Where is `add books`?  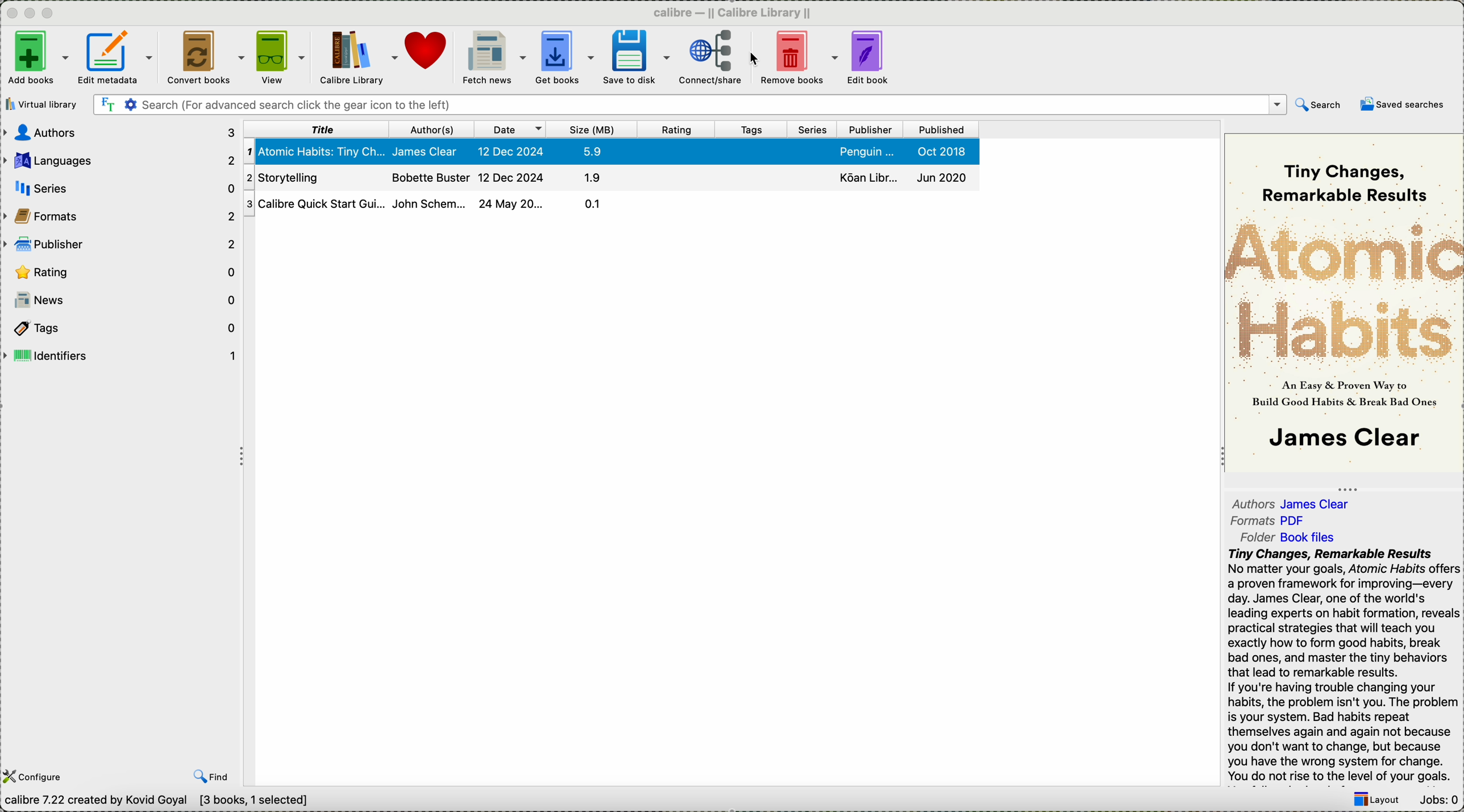 add books is located at coordinates (36, 59).